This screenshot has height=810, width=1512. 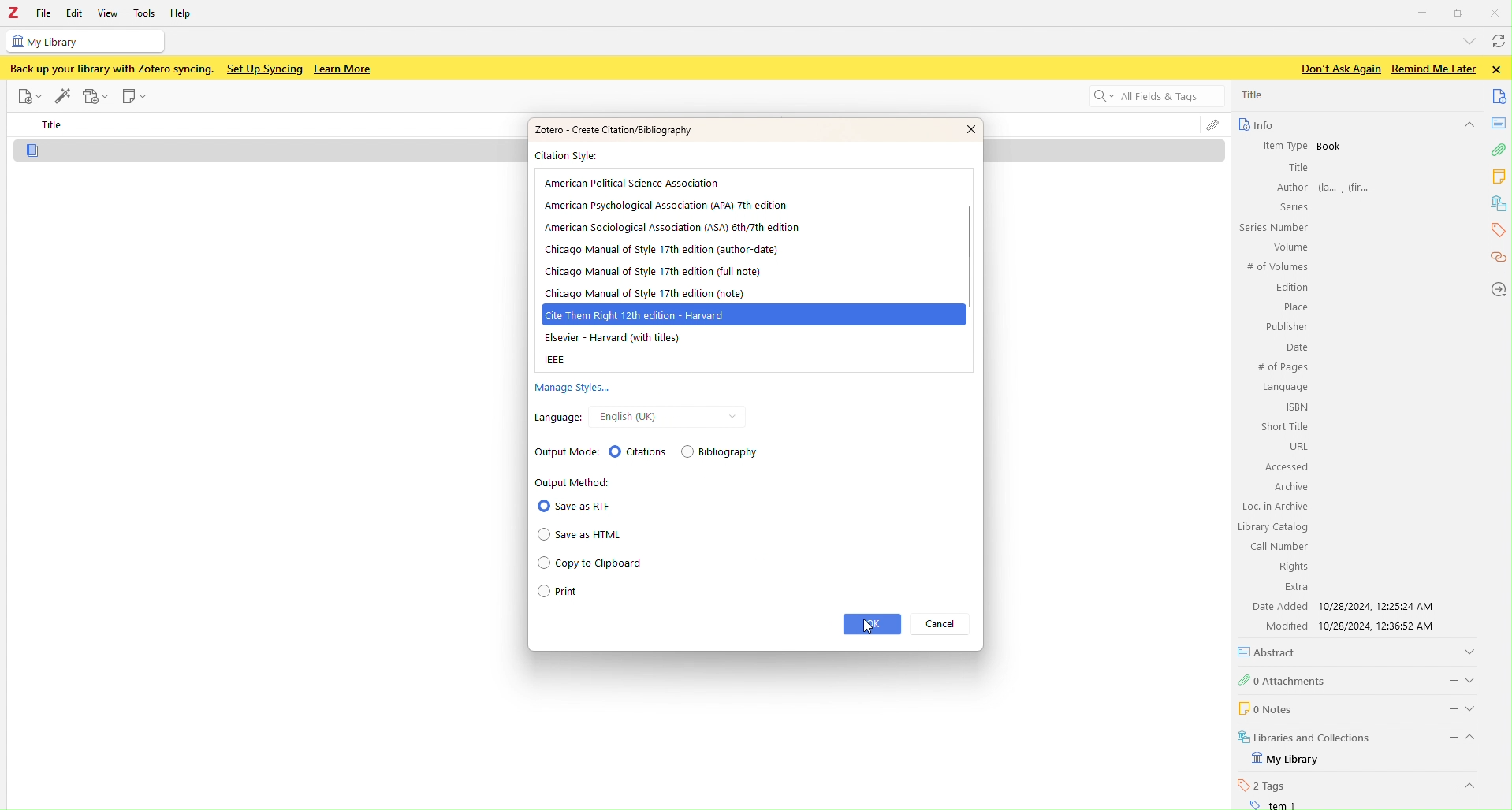 I want to click on add, so click(x=1447, y=738).